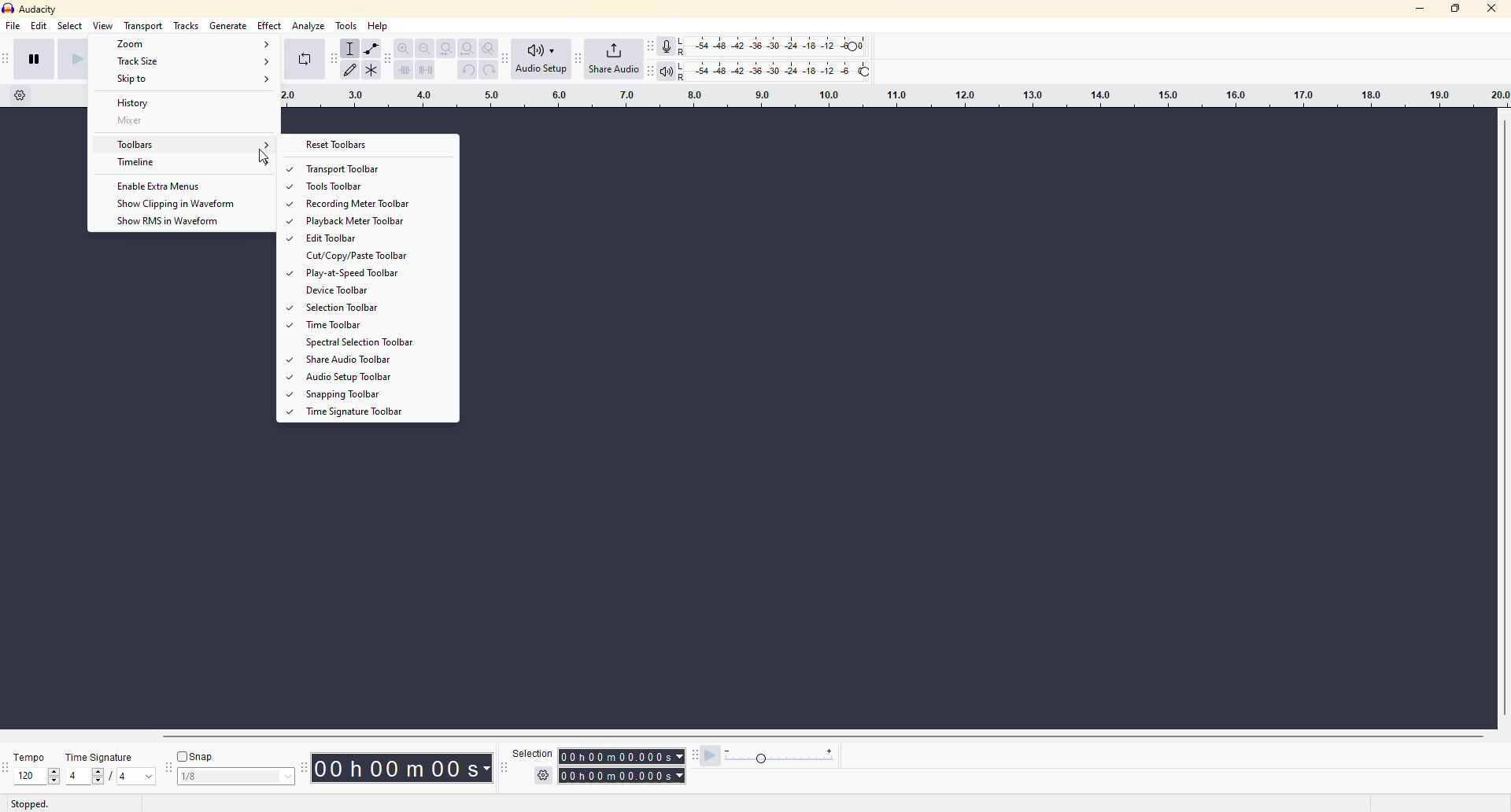 The width and height of the screenshot is (1511, 812). Describe the element at coordinates (175, 205) in the screenshot. I see `Show Clipping in Waveform` at that location.